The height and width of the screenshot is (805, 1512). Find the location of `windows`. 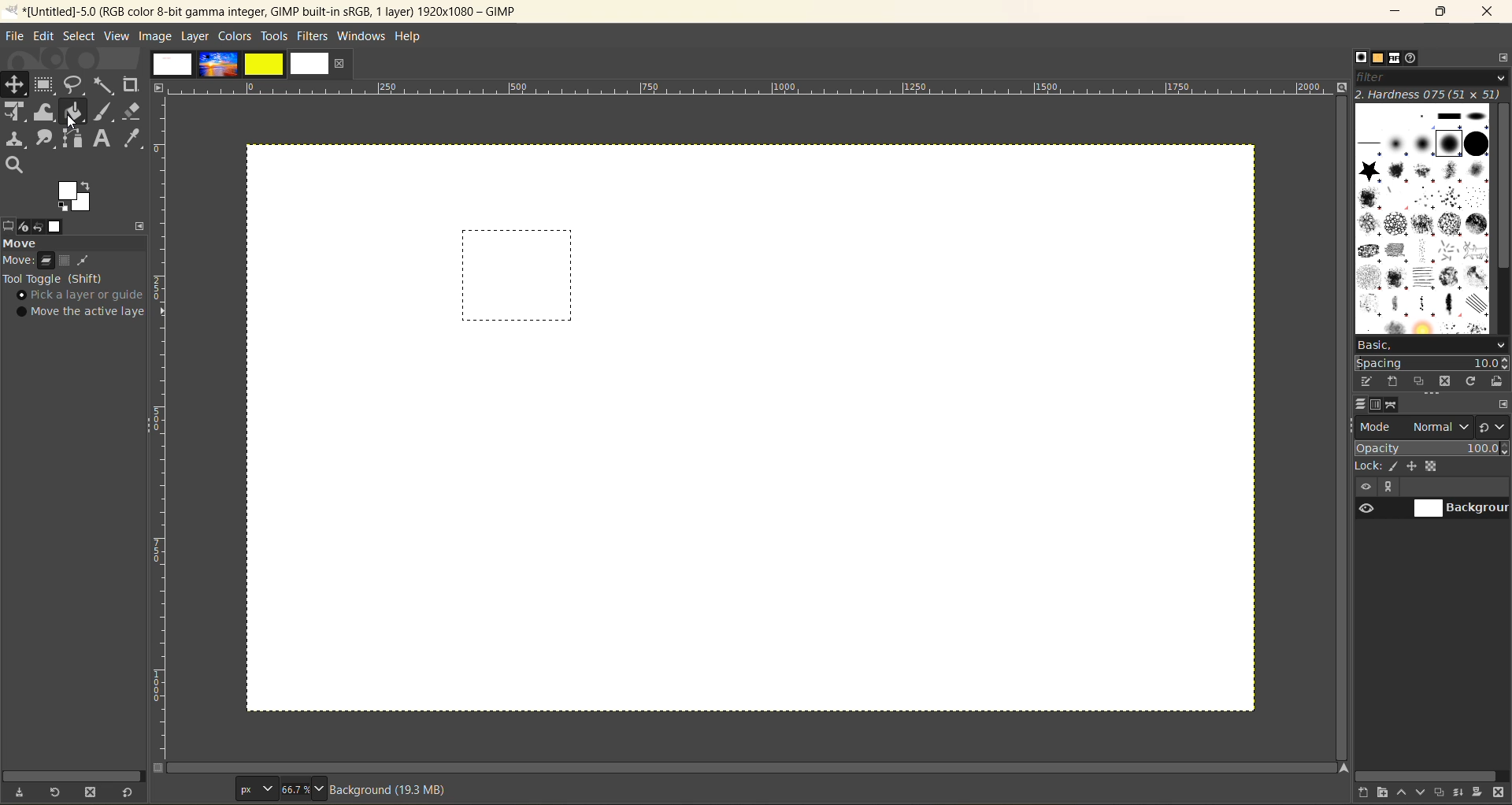

windows is located at coordinates (363, 36).